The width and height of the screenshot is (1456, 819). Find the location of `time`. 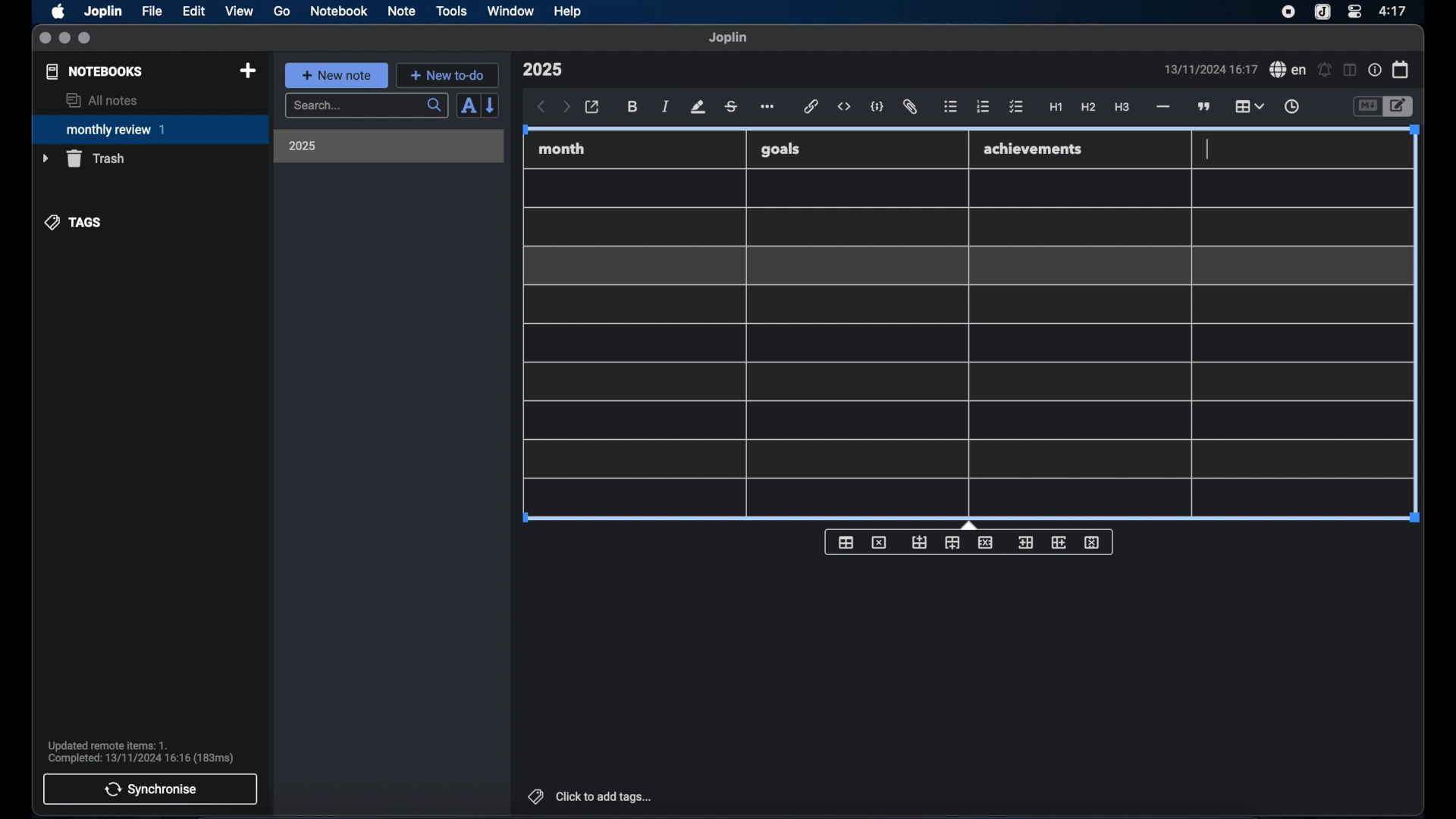

time is located at coordinates (1395, 11).